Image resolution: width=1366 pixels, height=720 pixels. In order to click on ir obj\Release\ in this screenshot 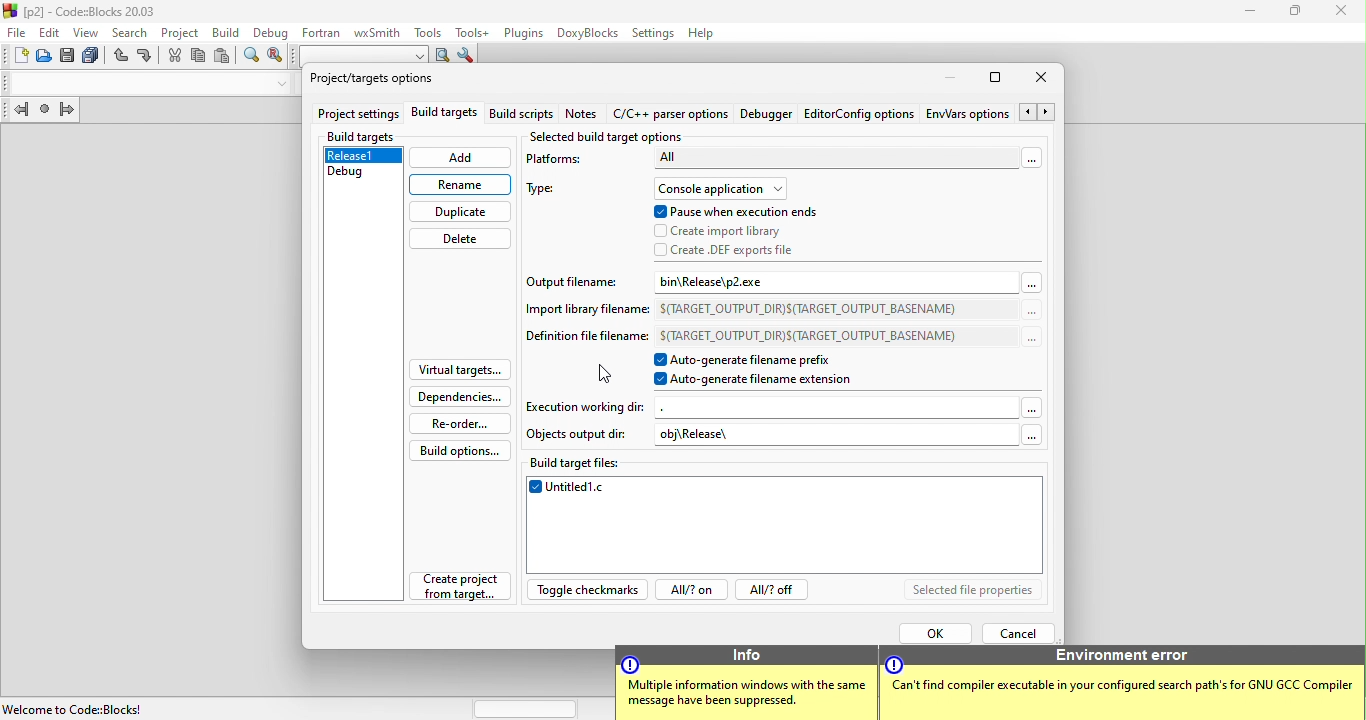, I will do `click(724, 434)`.